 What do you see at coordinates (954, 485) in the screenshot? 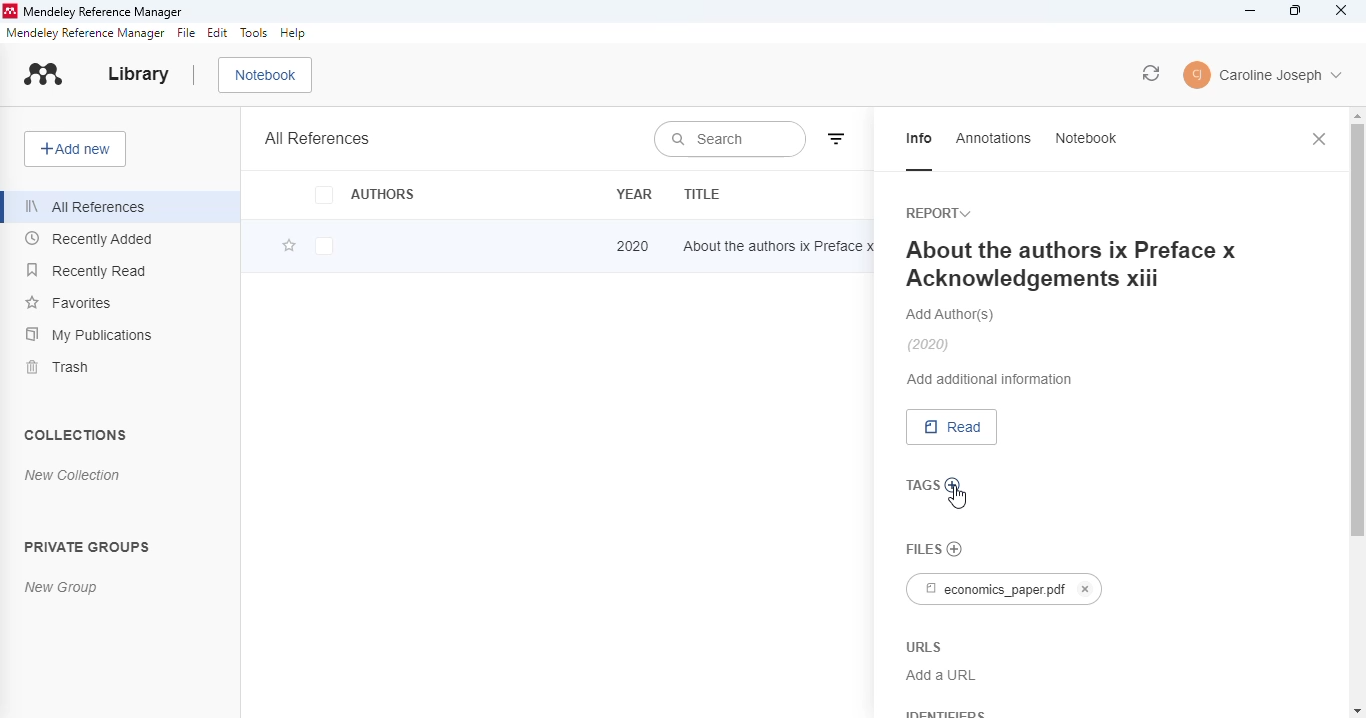
I see `add` at bounding box center [954, 485].